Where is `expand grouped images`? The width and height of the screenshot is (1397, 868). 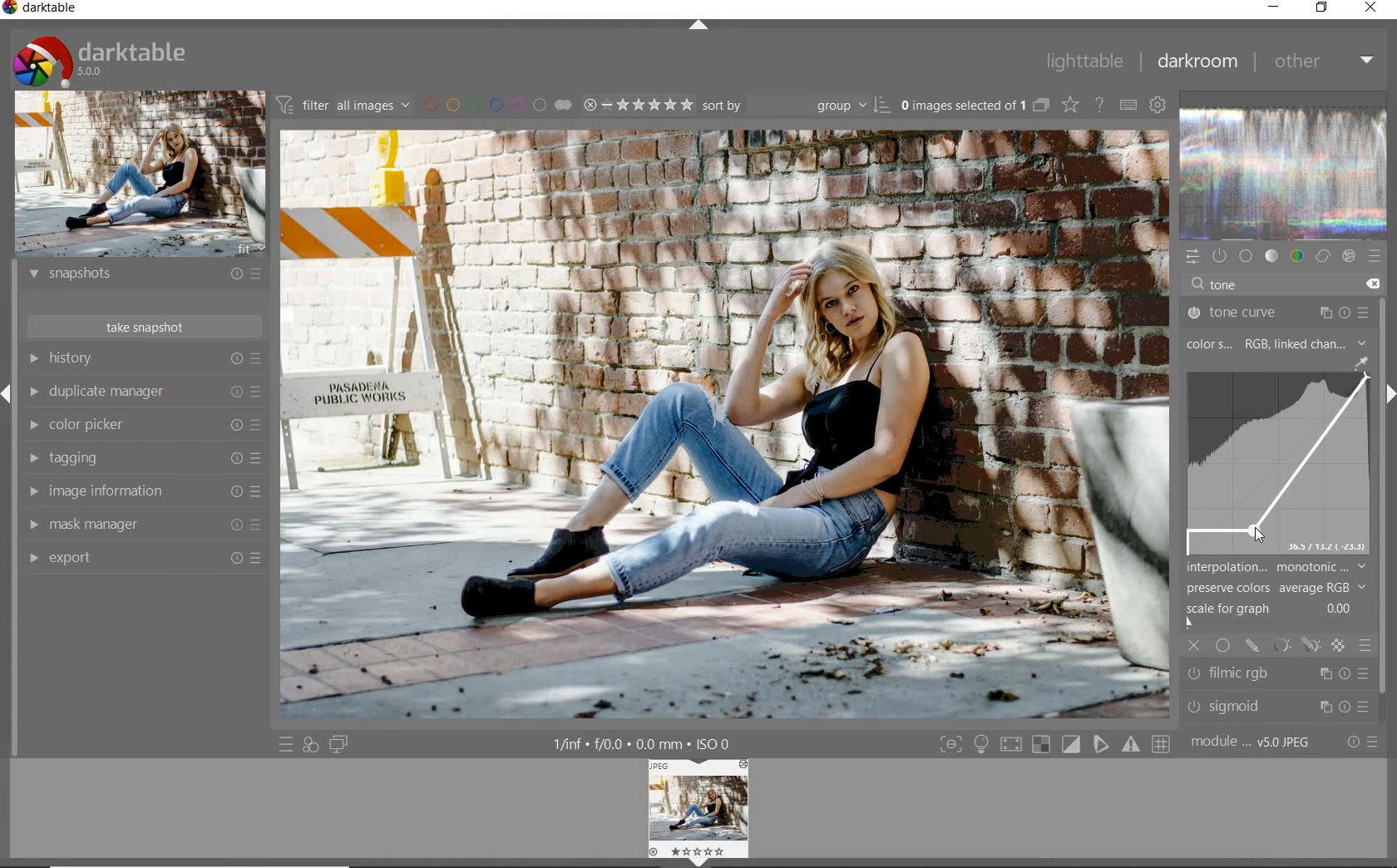 expand grouped images is located at coordinates (975, 105).